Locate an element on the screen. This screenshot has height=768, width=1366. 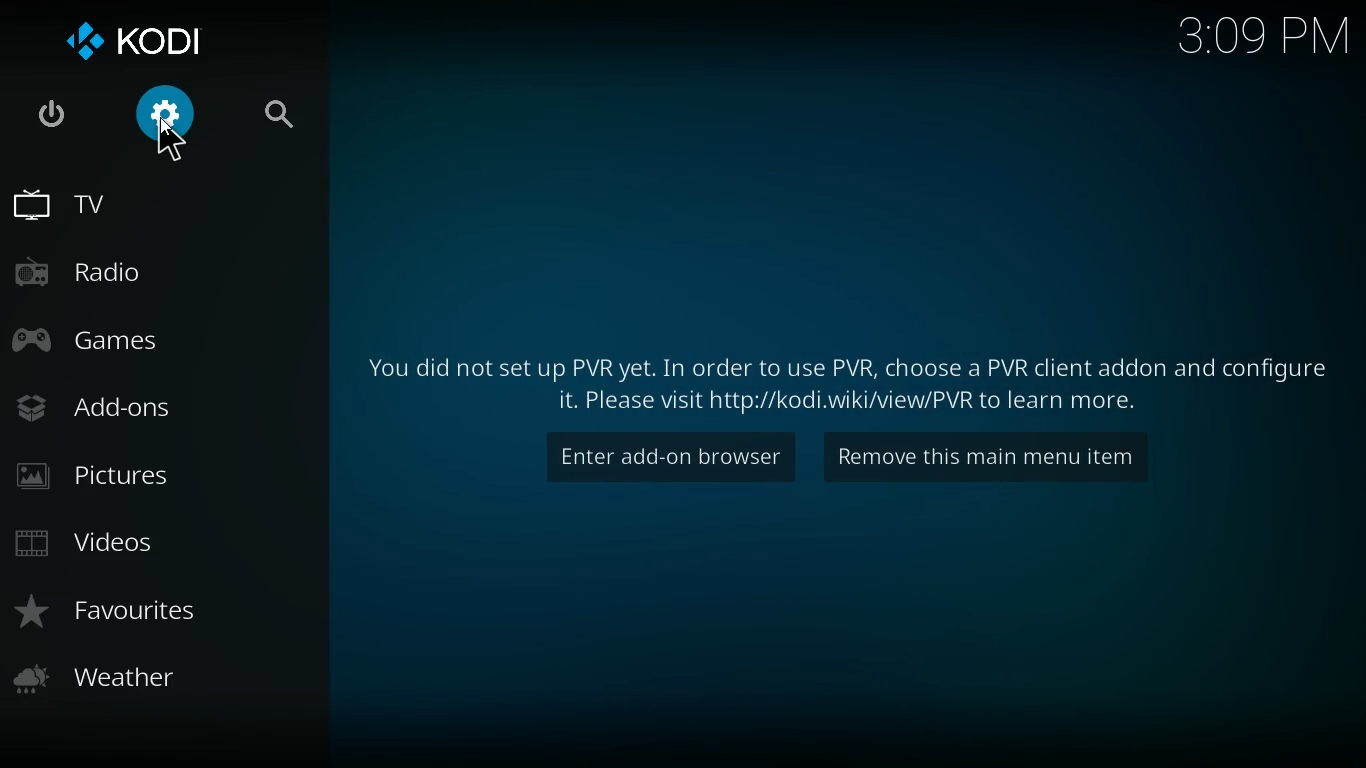
cursor is located at coordinates (172, 142).